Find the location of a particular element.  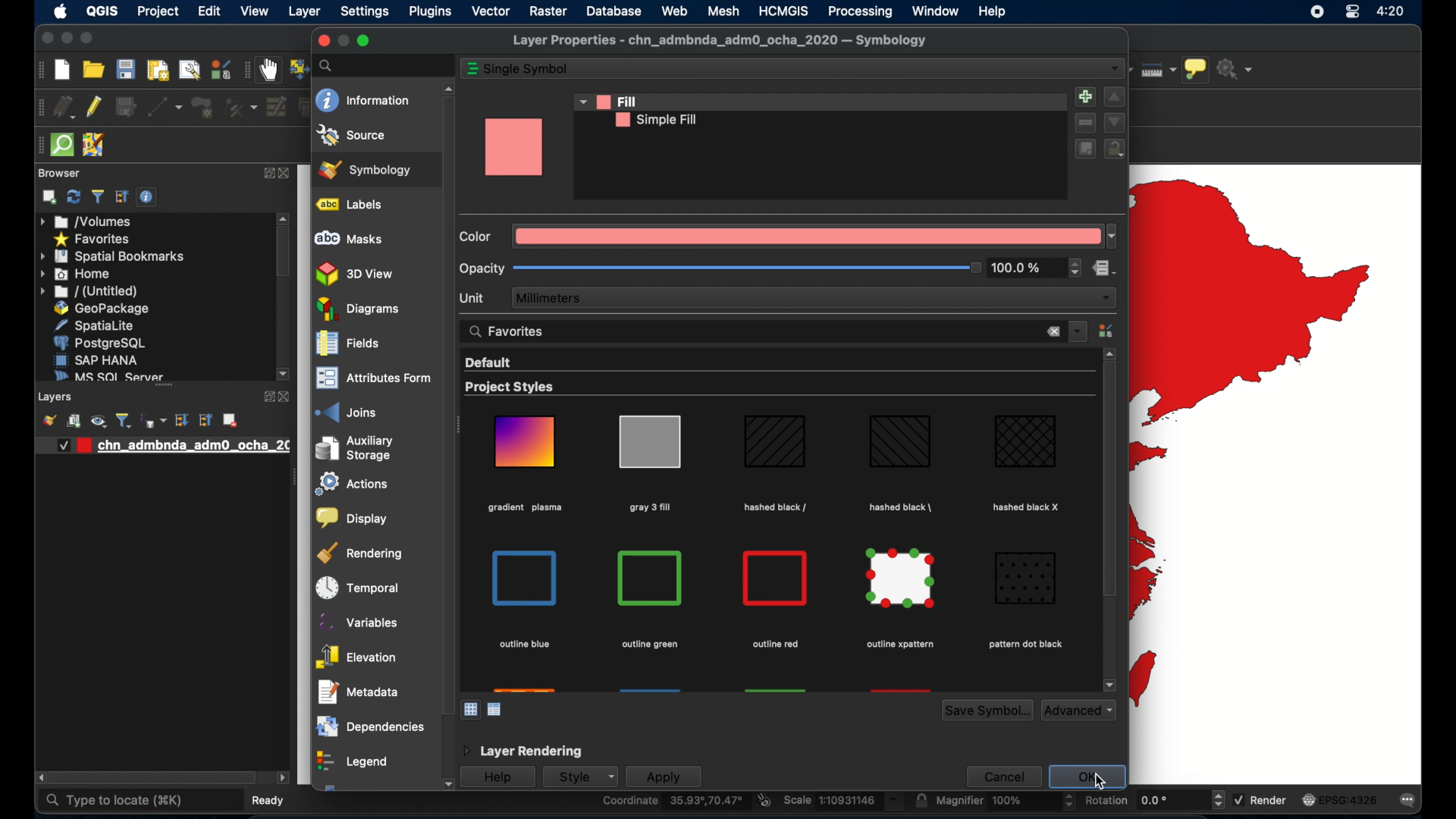

favorites dropdown is located at coordinates (1078, 330).